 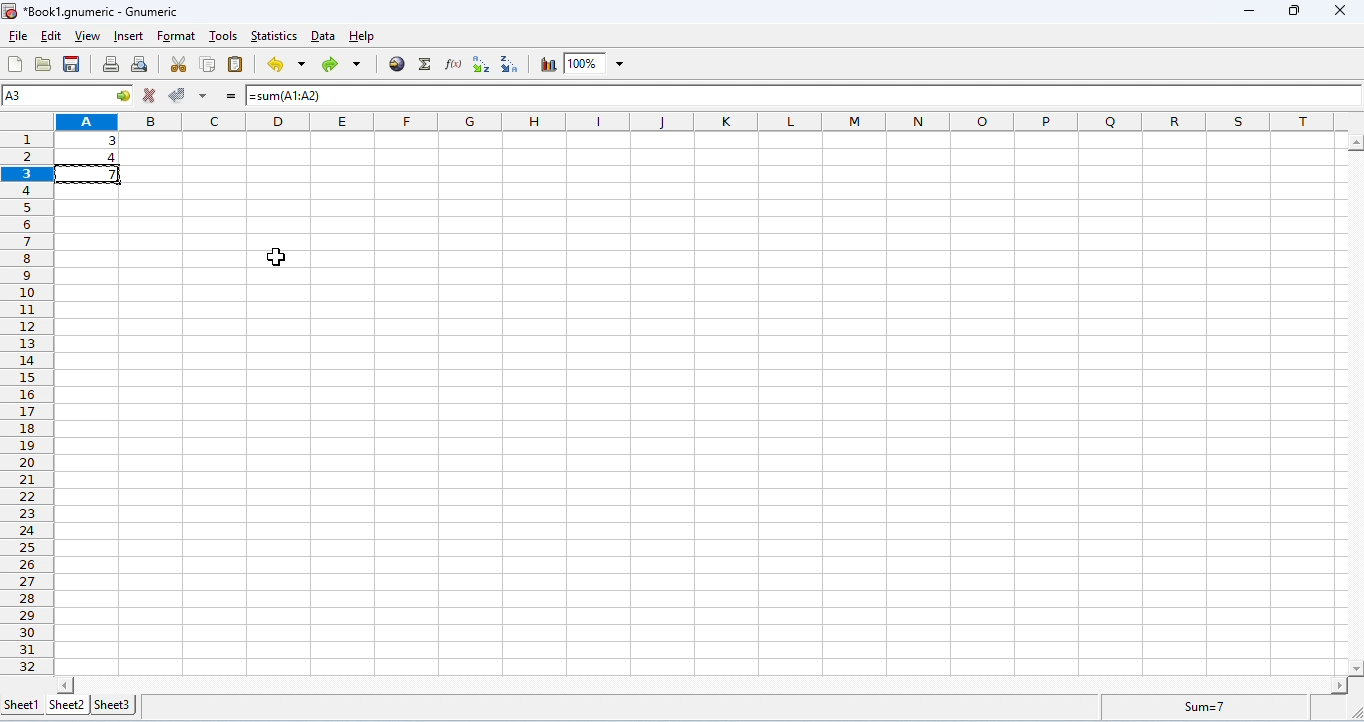 What do you see at coordinates (237, 64) in the screenshot?
I see `paste` at bounding box center [237, 64].